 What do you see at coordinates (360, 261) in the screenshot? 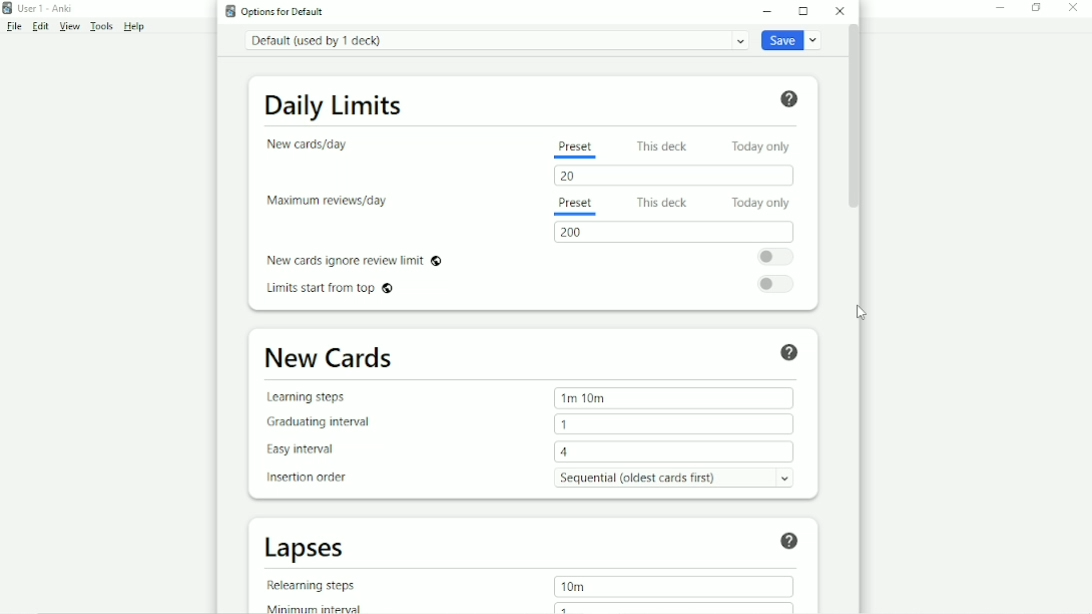
I see `New cards ignore review limit` at bounding box center [360, 261].